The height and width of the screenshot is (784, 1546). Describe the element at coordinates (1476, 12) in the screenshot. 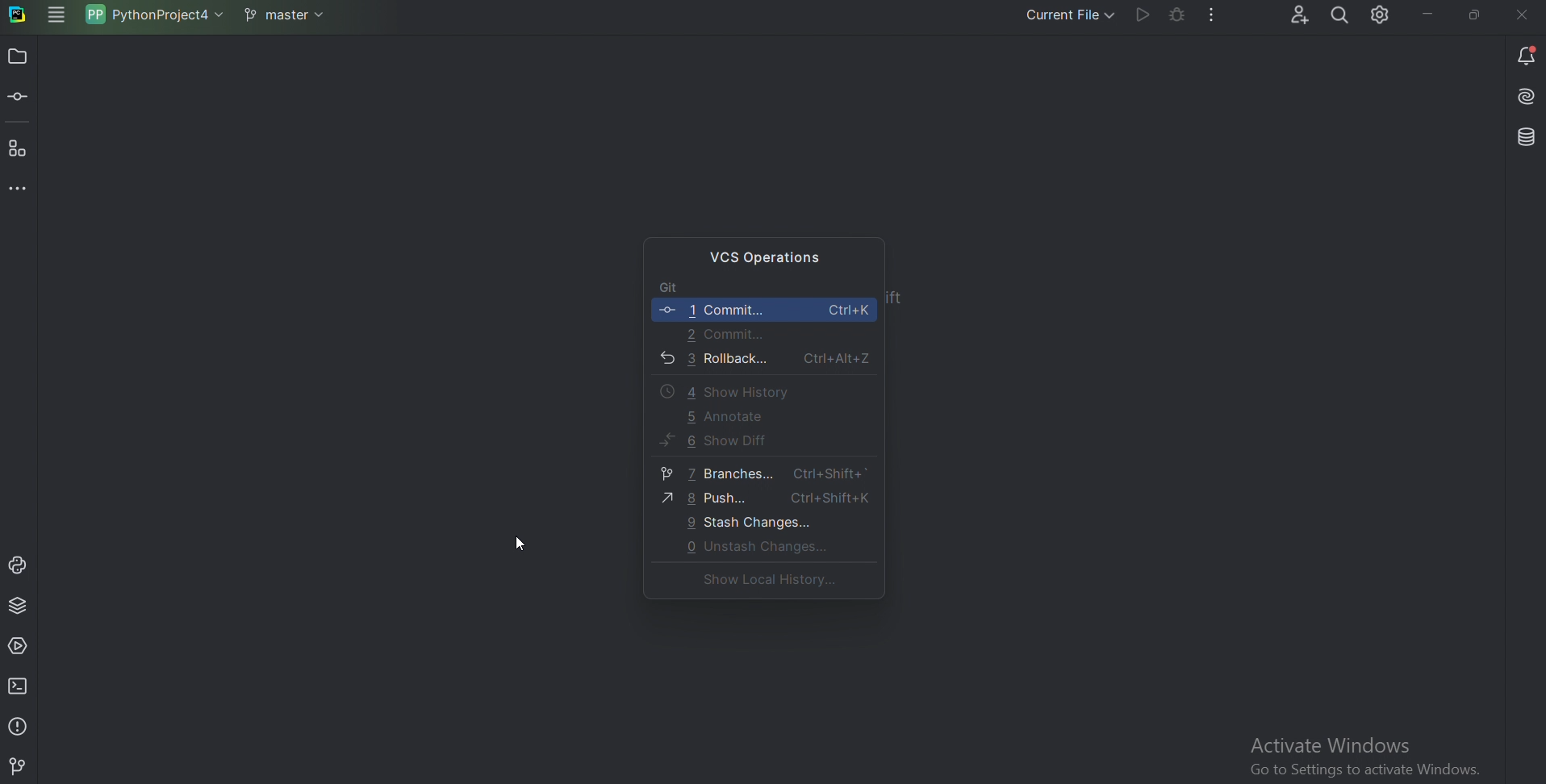

I see `Restore down` at that location.